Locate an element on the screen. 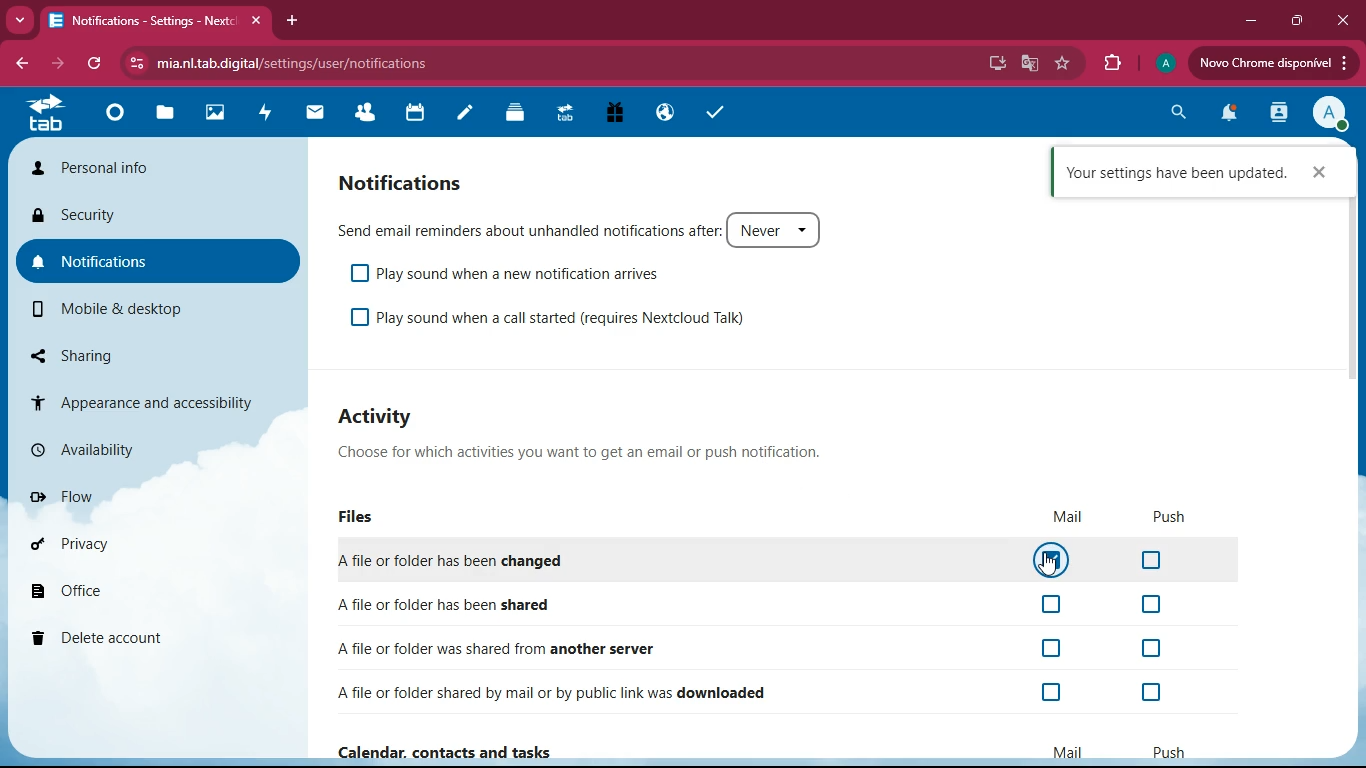  activity is located at coordinates (1281, 112).